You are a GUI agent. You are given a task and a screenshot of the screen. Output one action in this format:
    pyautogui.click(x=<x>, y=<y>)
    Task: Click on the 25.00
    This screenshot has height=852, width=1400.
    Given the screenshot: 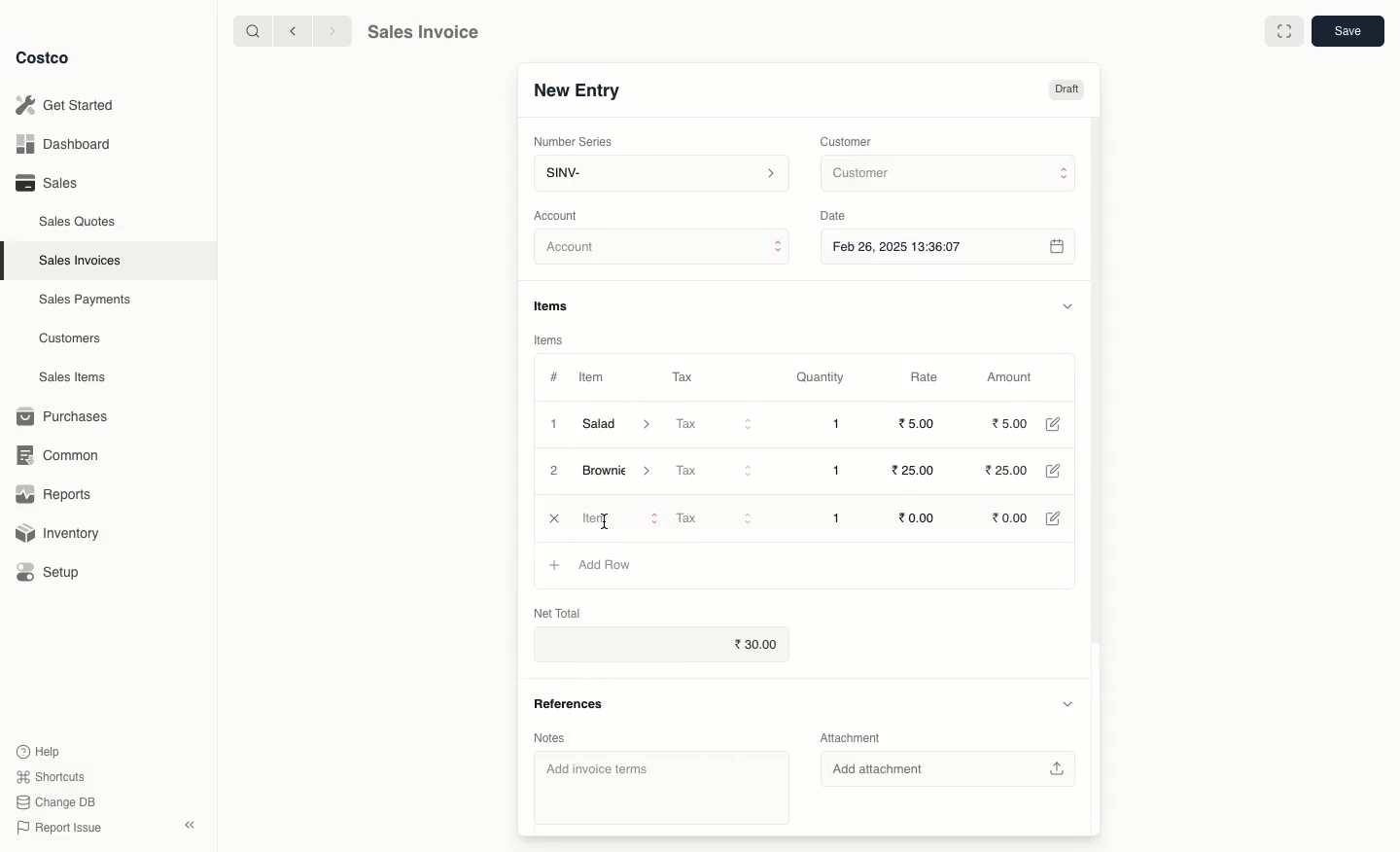 What is the action you would take?
    pyautogui.click(x=1011, y=472)
    